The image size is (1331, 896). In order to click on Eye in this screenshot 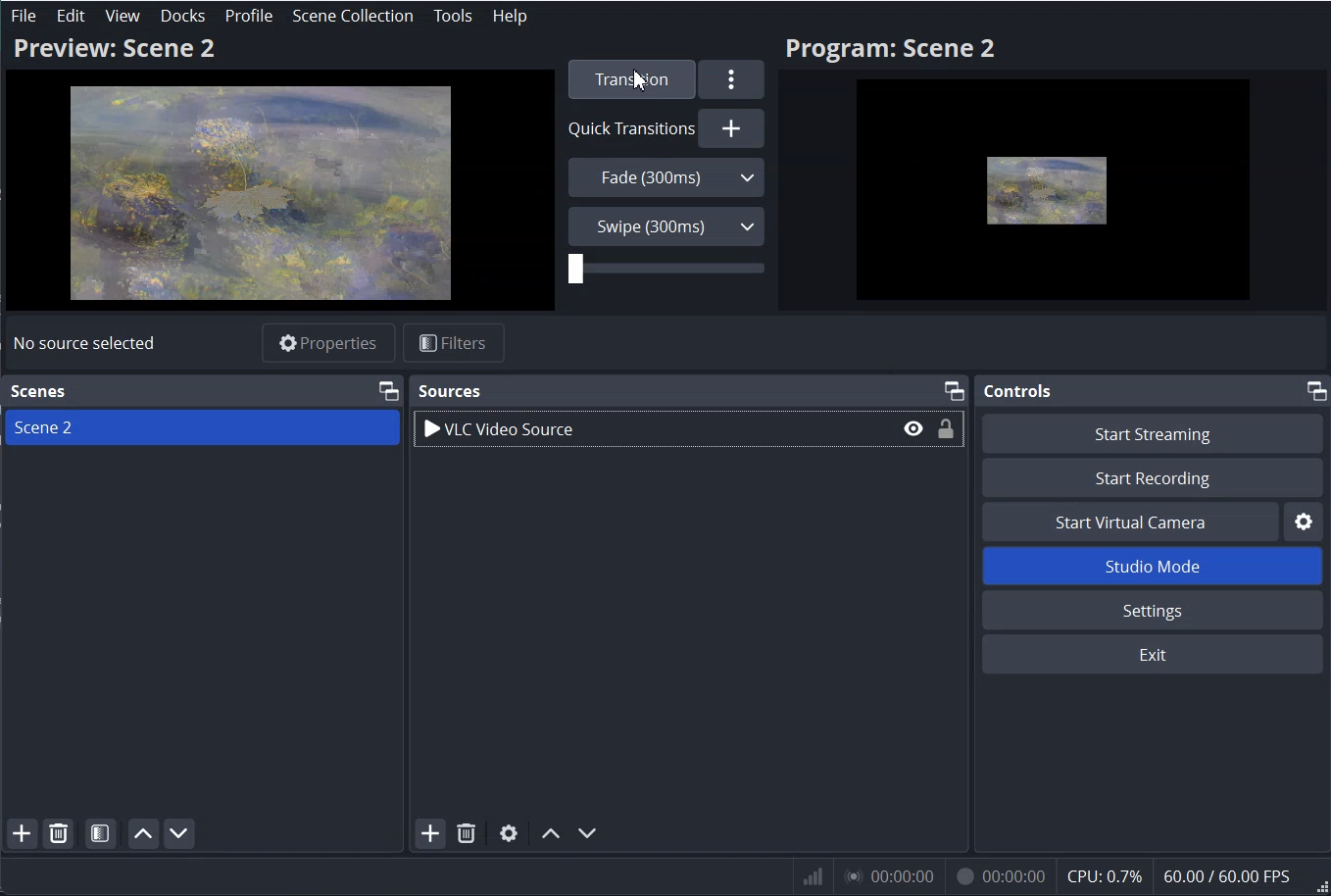, I will do `click(913, 427)`.